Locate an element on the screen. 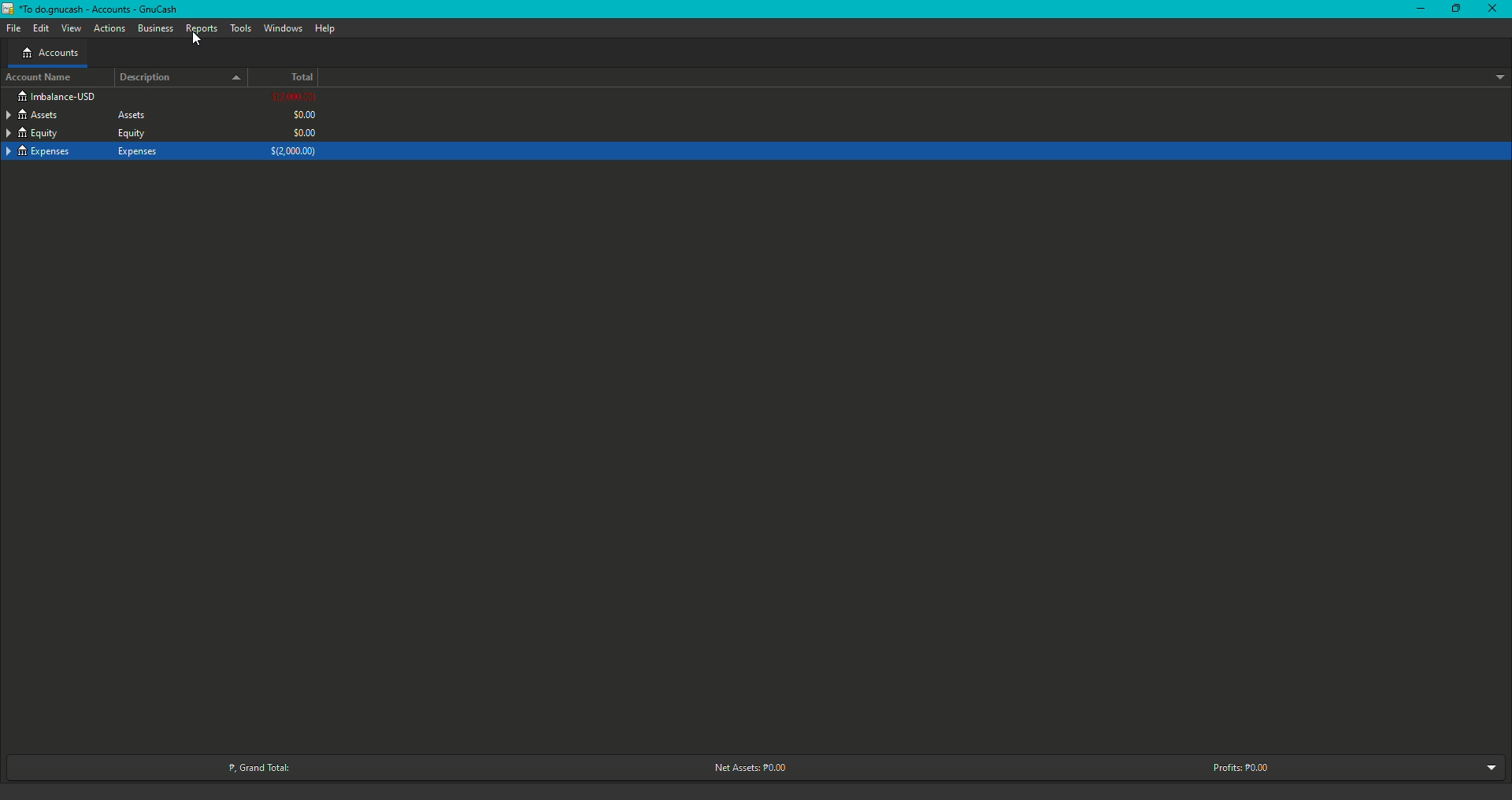 The height and width of the screenshot is (800, 1512). Total is located at coordinates (301, 77).